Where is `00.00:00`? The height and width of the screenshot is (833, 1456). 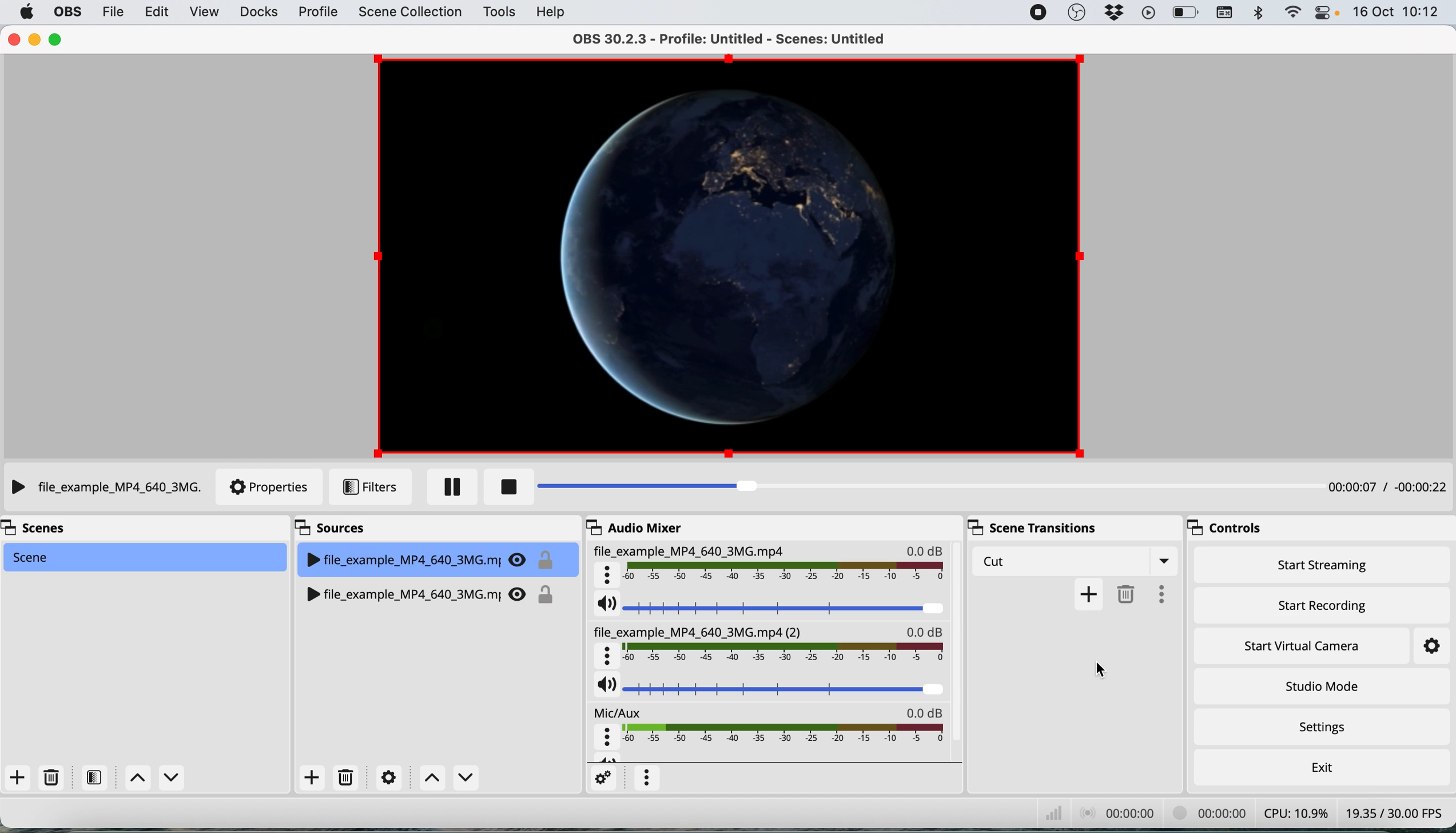
00.00:00 is located at coordinates (1206, 813).